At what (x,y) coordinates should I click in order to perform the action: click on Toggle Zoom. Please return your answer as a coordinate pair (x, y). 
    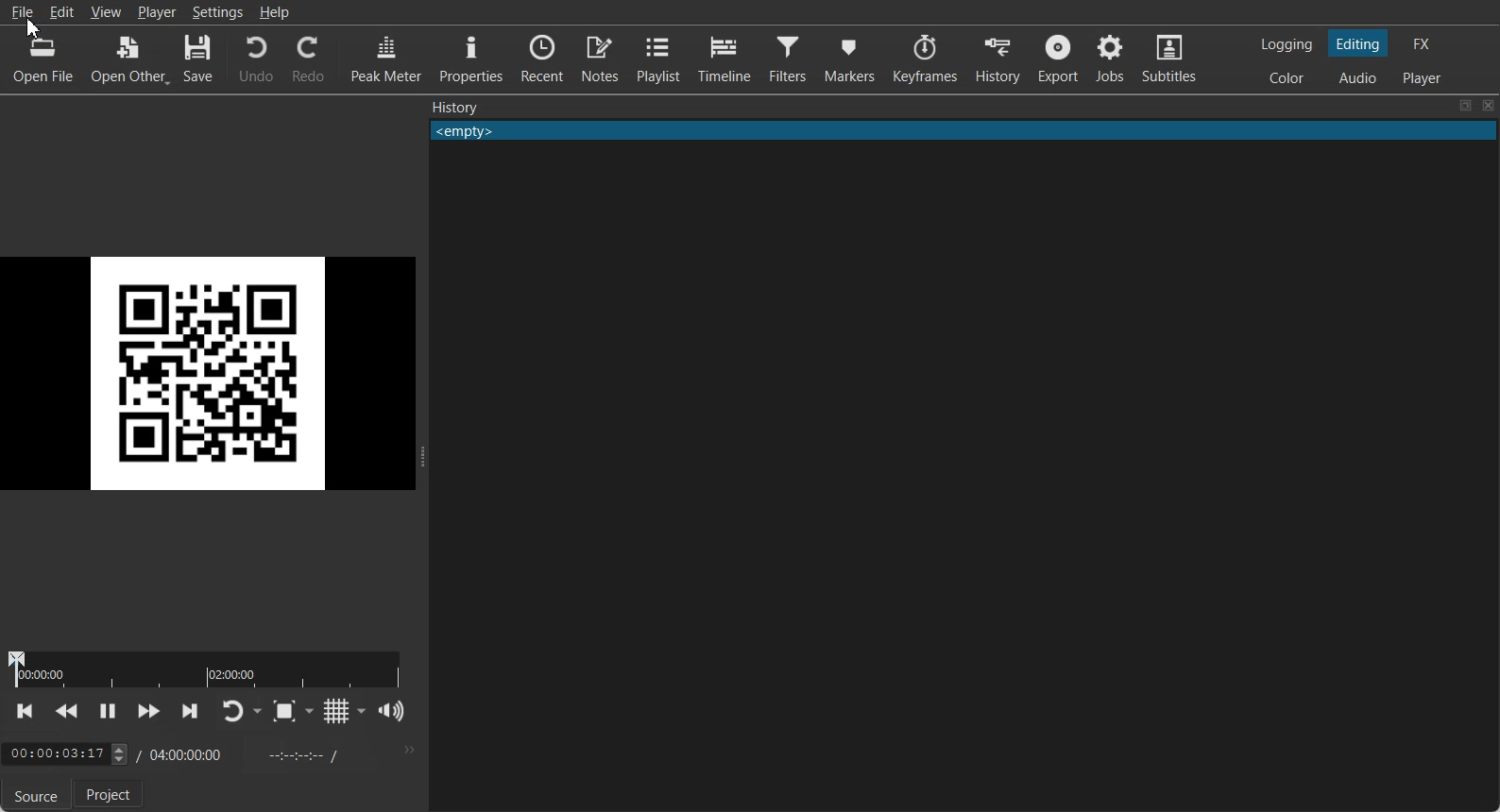
    Looking at the image, I should click on (285, 711).